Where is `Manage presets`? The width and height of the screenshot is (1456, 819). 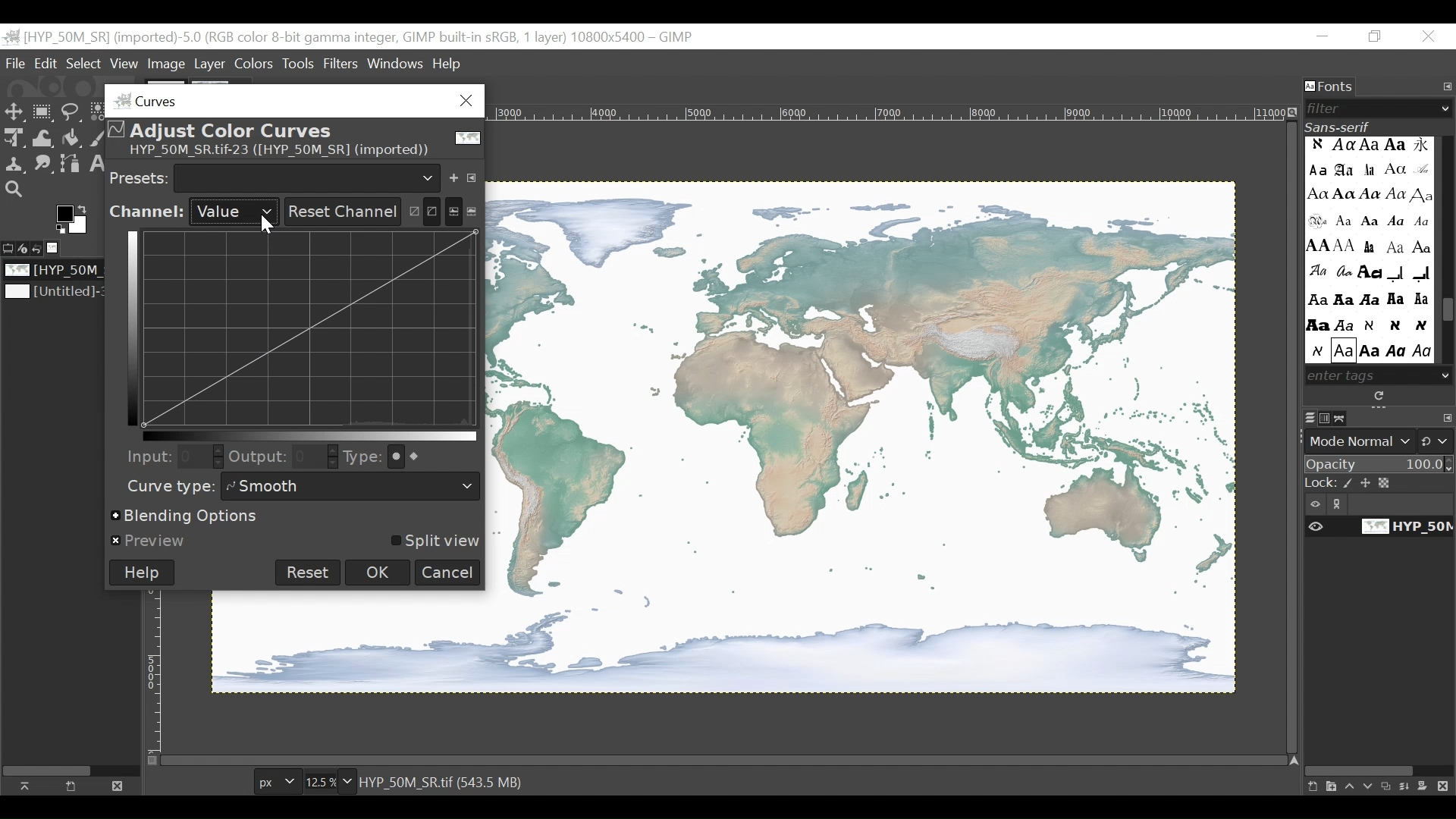 Manage presets is located at coordinates (475, 175).